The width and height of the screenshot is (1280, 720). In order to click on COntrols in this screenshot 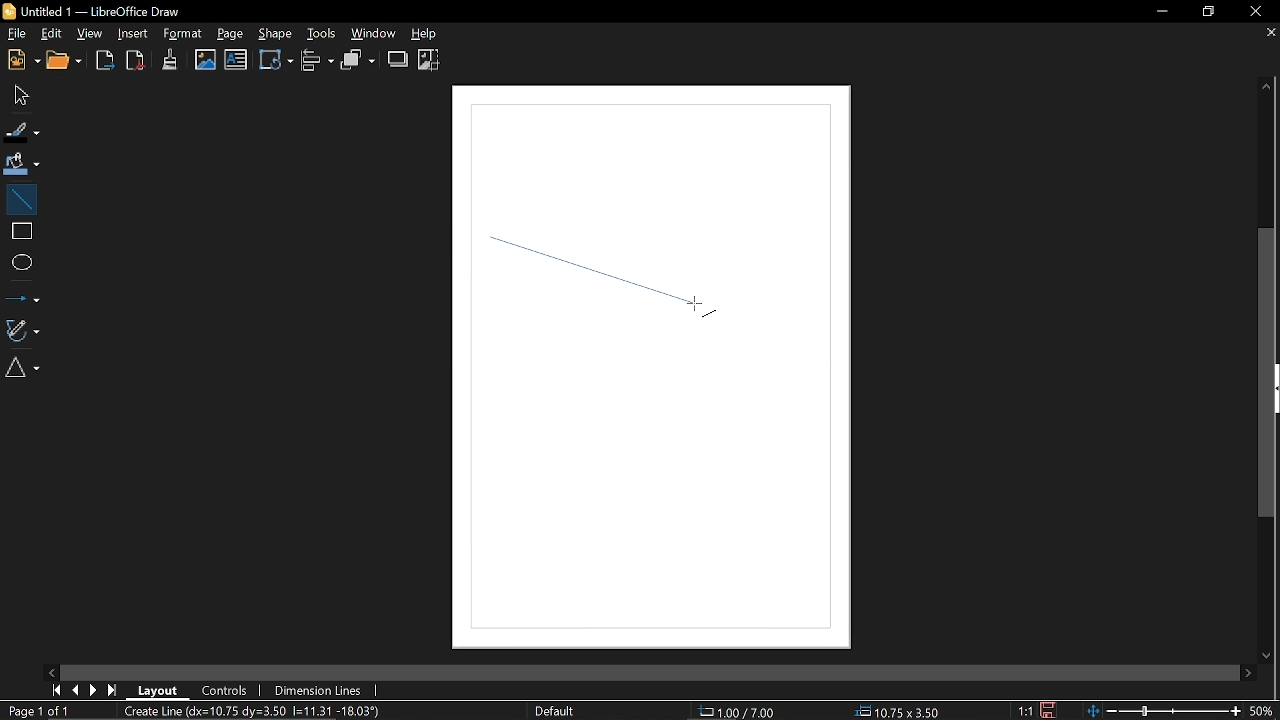, I will do `click(226, 689)`.